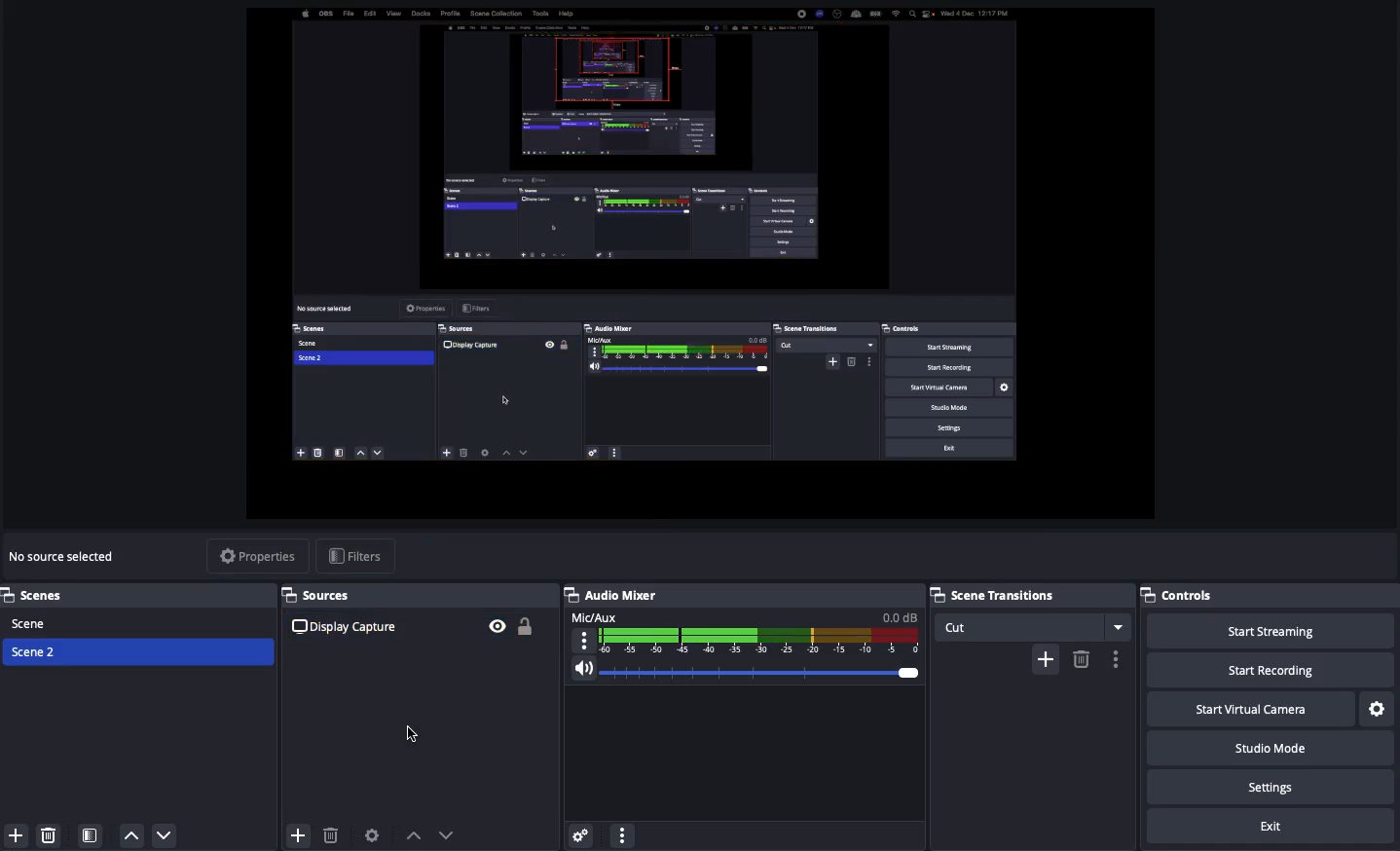 This screenshot has width=1400, height=851. I want to click on Filters, so click(354, 554).